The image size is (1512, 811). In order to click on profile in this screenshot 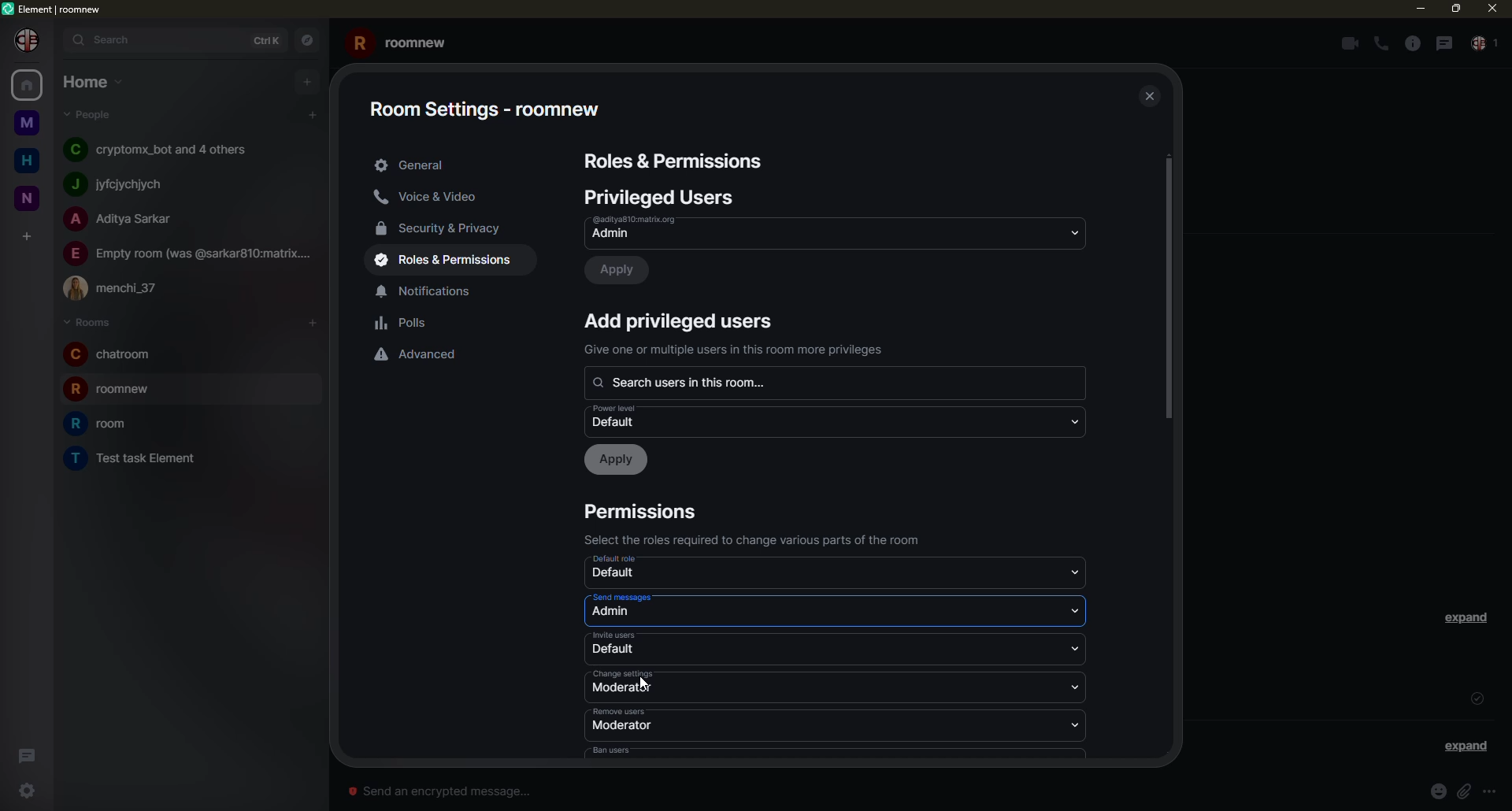, I will do `click(28, 40)`.